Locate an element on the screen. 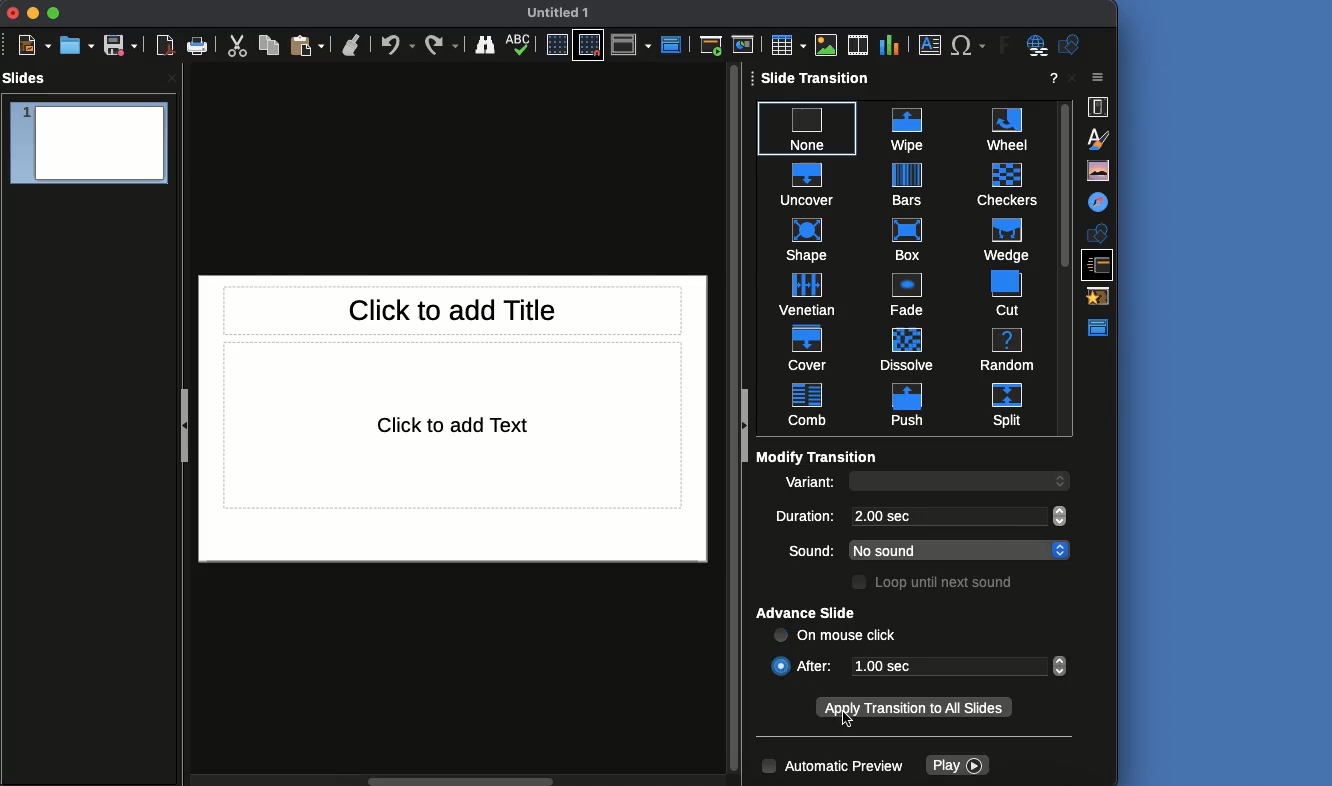 This screenshot has height=786, width=1332. Minimize is located at coordinates (35, 14).